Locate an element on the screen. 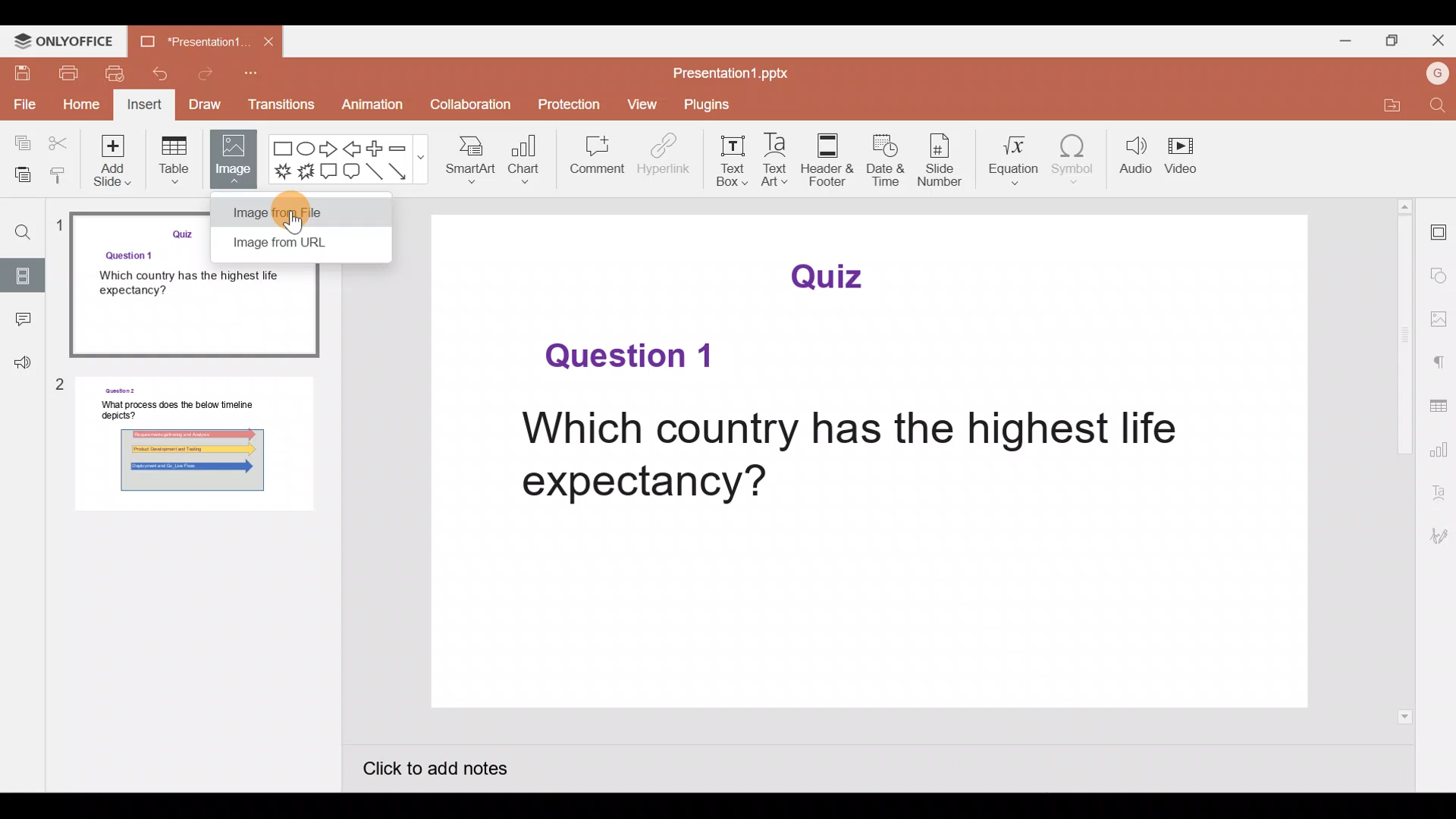  Add slide is located at coordinates (115, 165).